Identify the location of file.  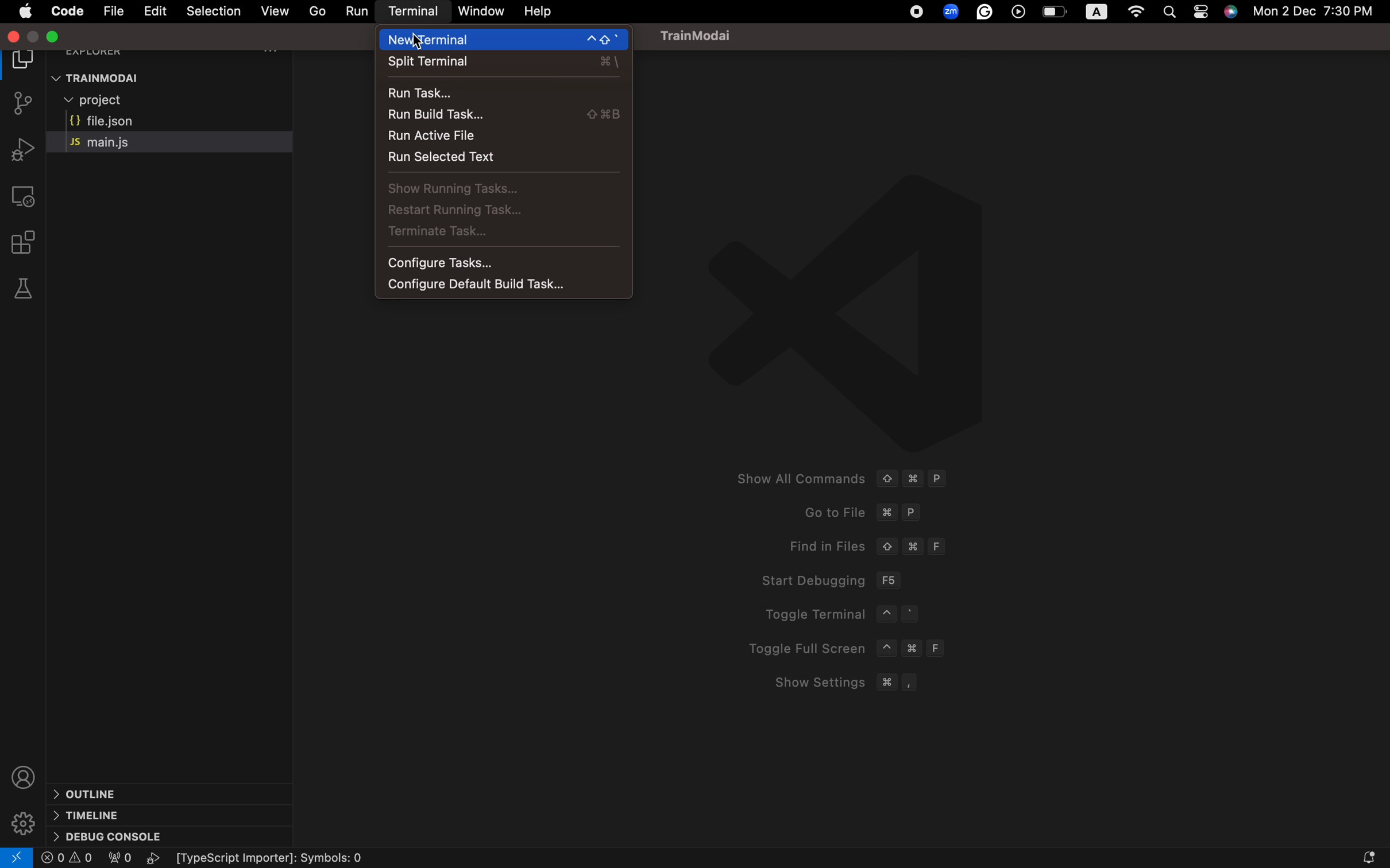
(113, 10).